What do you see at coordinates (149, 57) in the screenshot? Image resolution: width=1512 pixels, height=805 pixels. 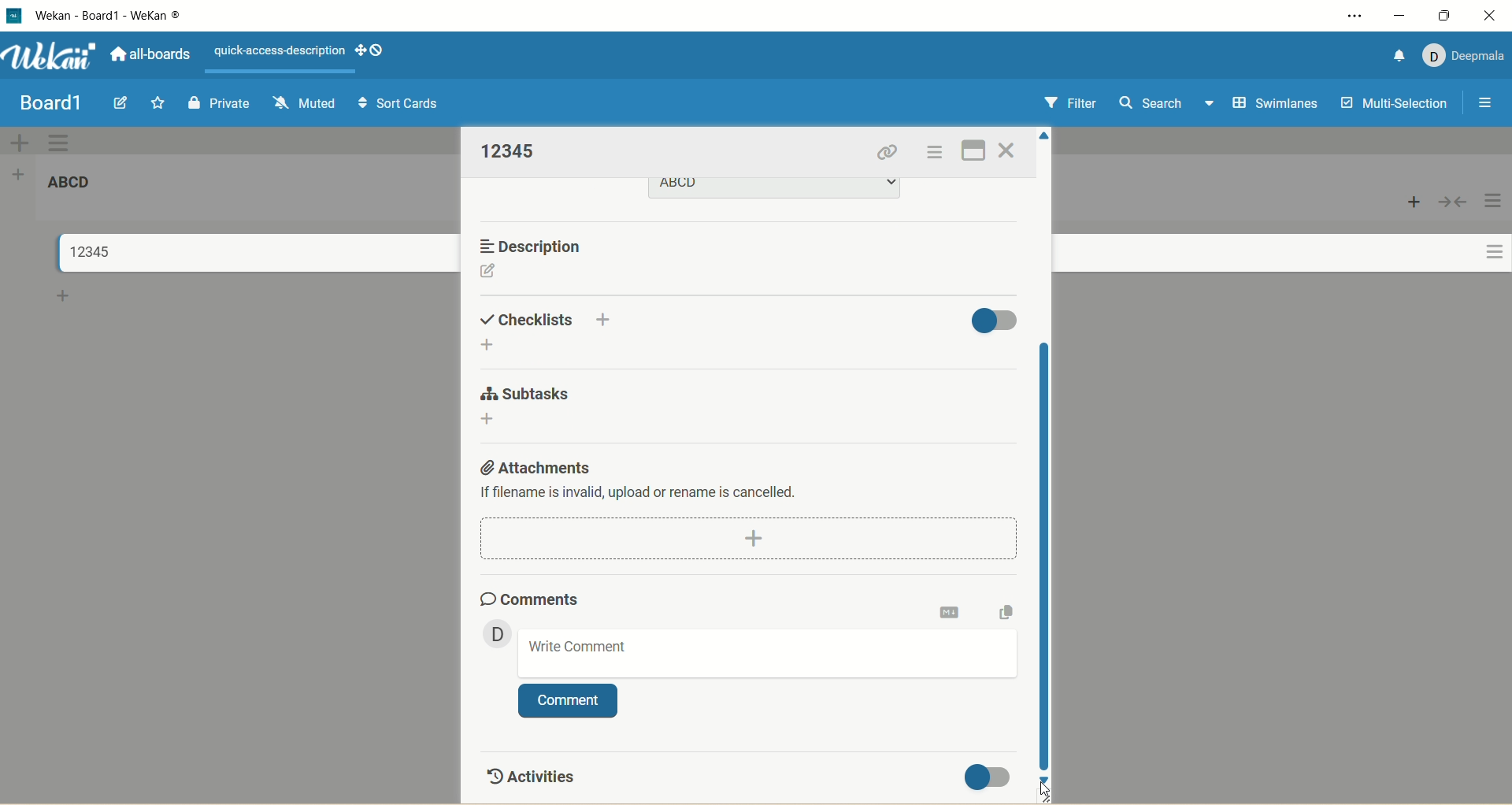 I see `all boards` at bounding box center [149, 57].